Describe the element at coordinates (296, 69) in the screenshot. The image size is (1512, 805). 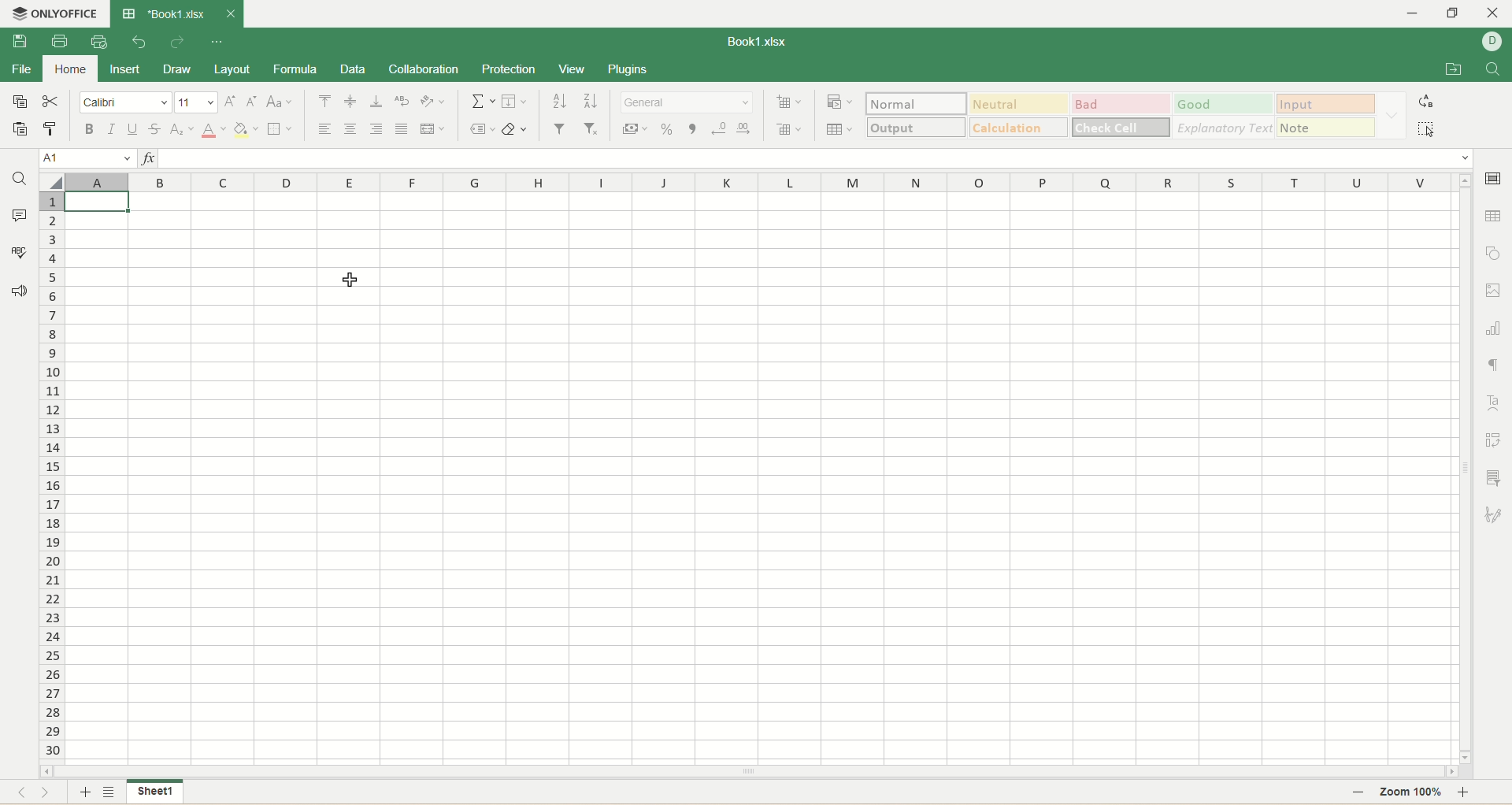
I see `formula` at that location.